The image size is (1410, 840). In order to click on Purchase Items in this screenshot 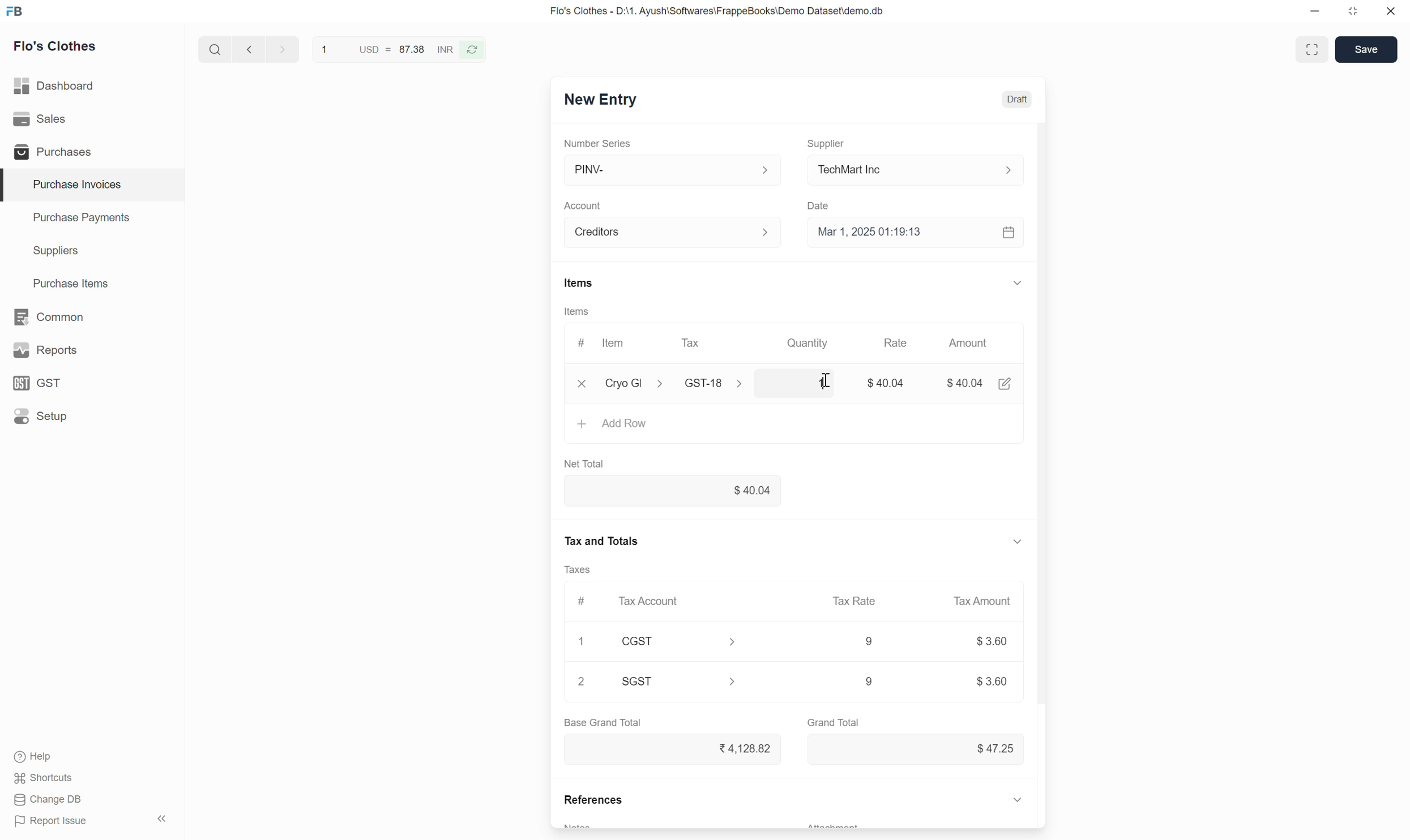, I will do `click(65, 281)`.